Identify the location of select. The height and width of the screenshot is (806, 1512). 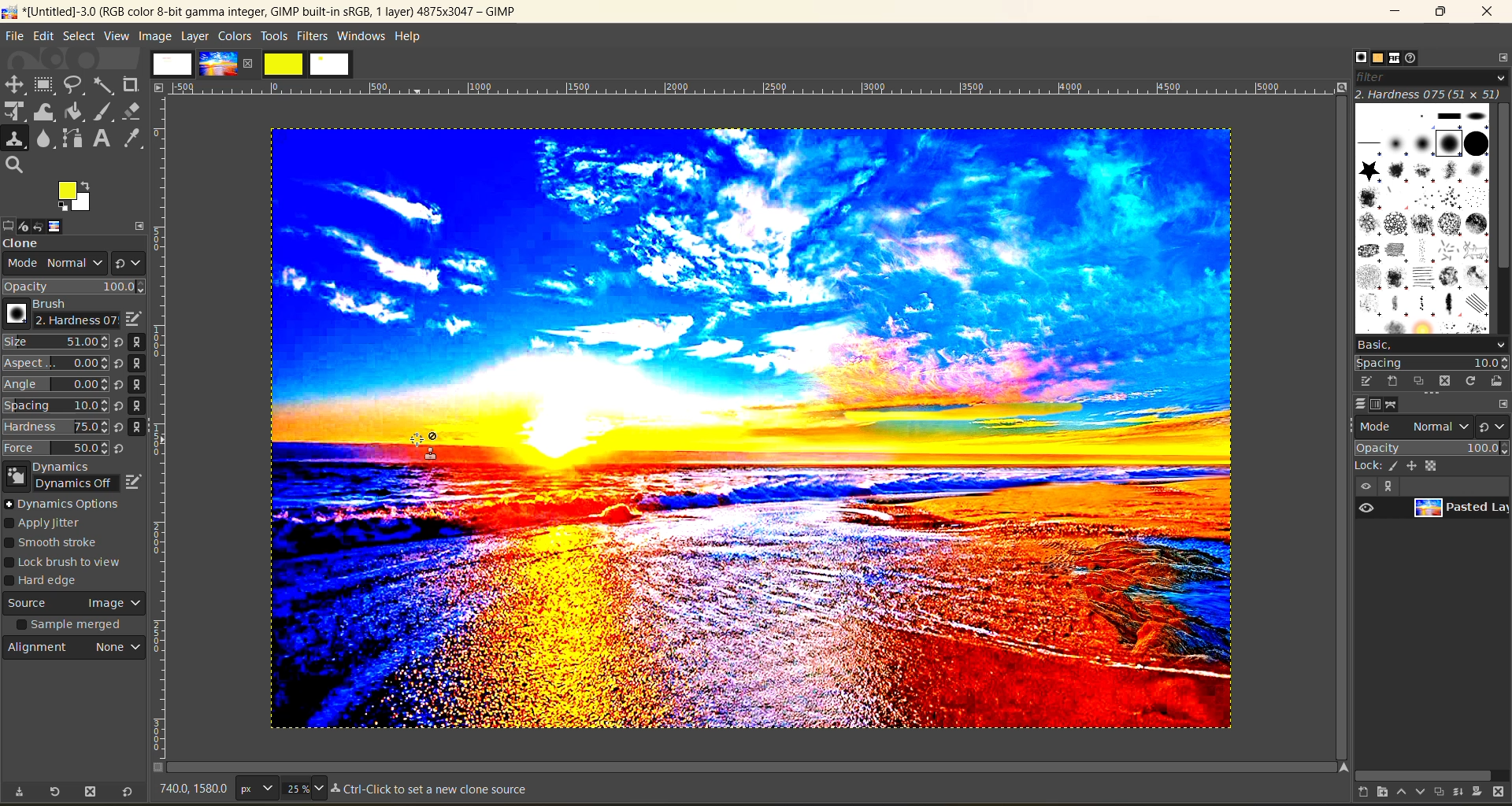
(79, 35).